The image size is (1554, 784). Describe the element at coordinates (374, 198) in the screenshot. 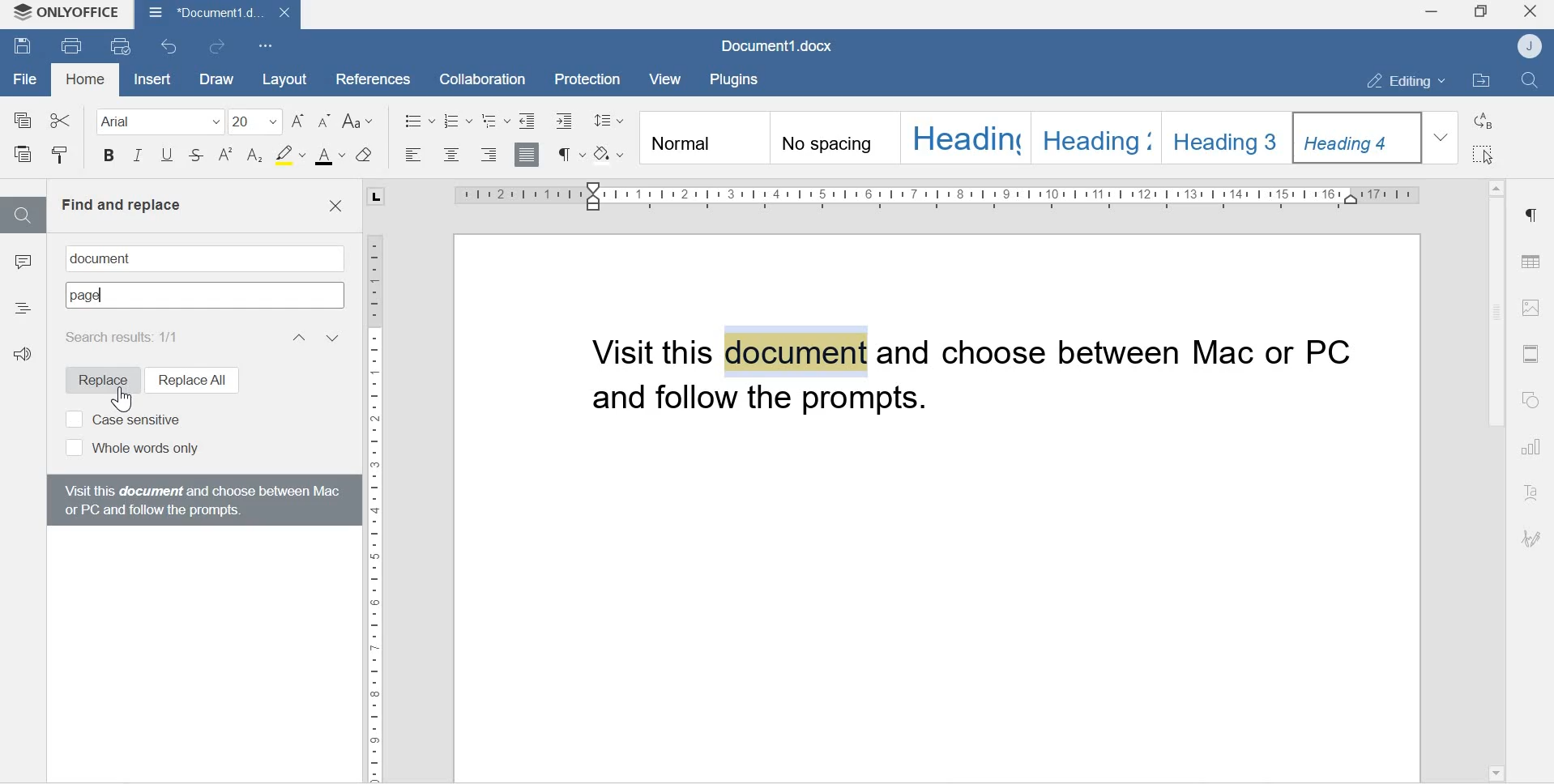

I see `tab stop` at that location.